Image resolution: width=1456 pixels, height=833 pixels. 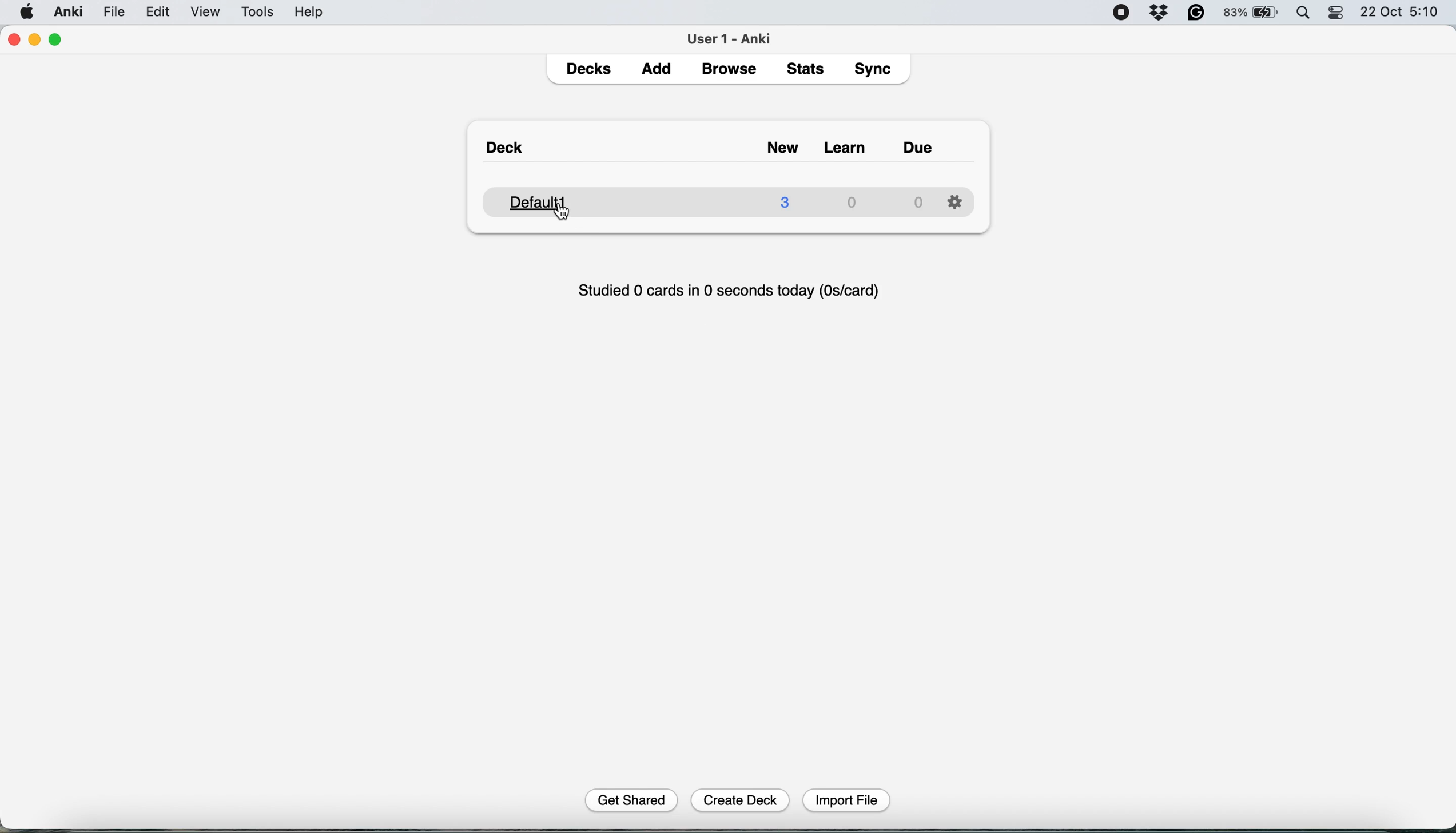 What do you see at coordinates (591, 70) in the screenshot?
I see `decks` at bounding box center [591, 70].